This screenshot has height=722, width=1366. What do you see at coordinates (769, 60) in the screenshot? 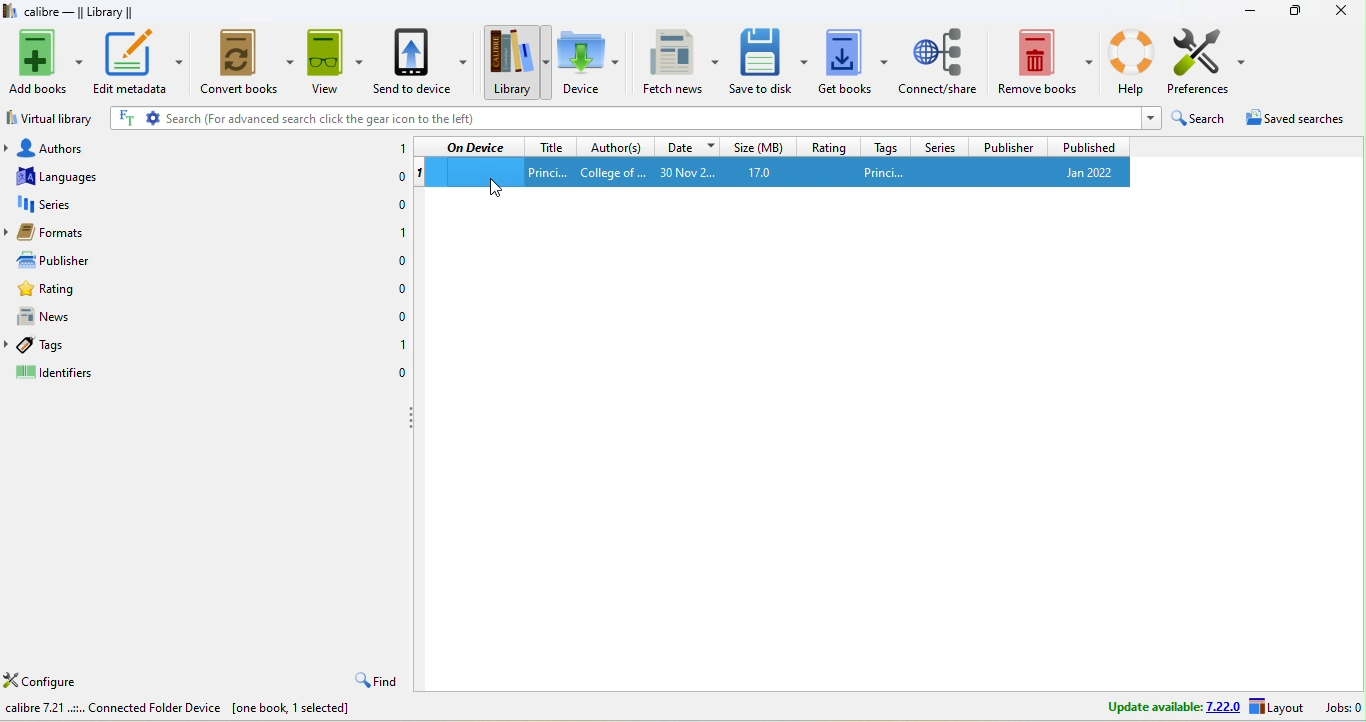
I see `save to disk` at bounding box center [769, 60].